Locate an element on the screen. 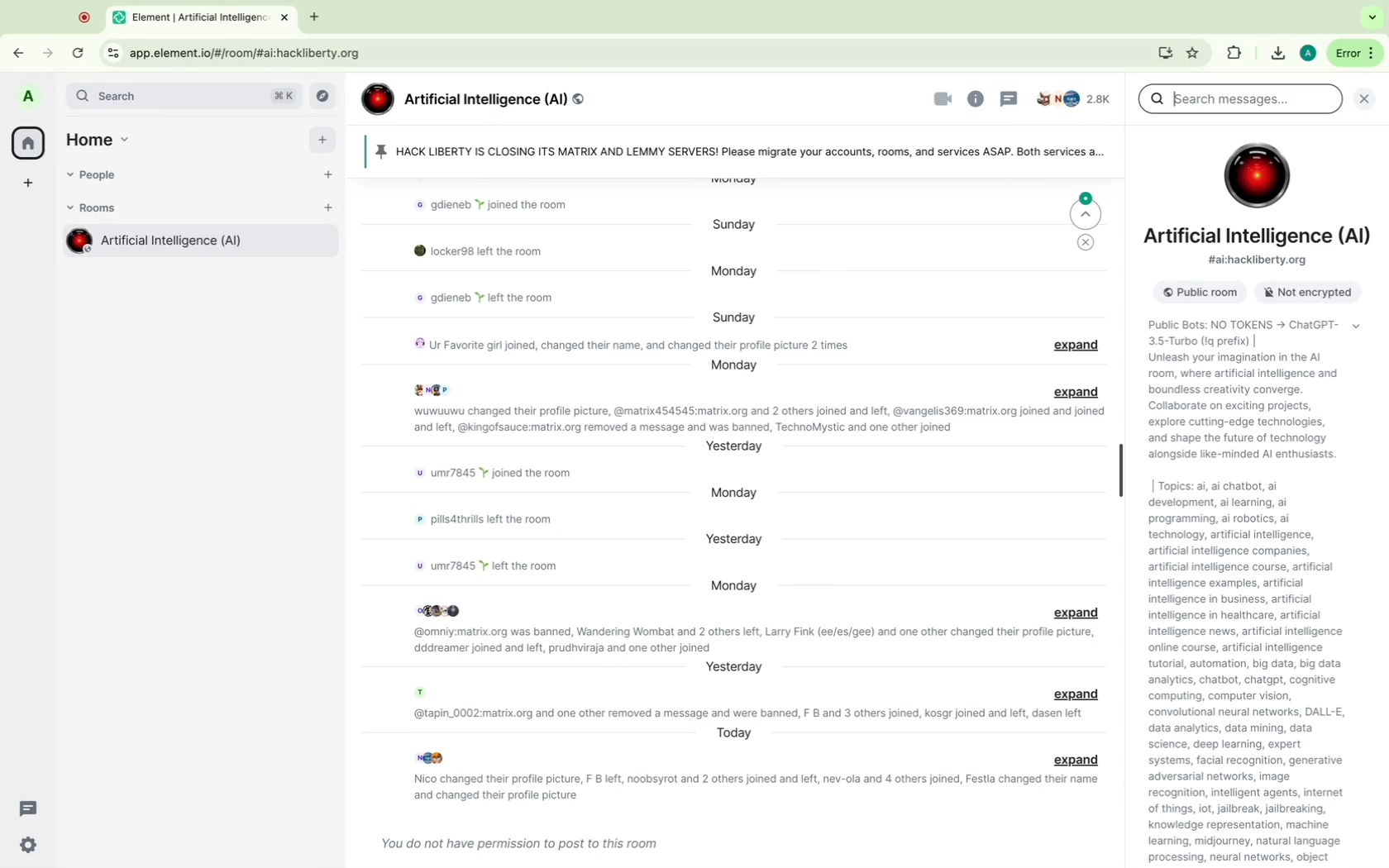 The image size is (1389, 868). quick settings is located at coordinates (29, 846).